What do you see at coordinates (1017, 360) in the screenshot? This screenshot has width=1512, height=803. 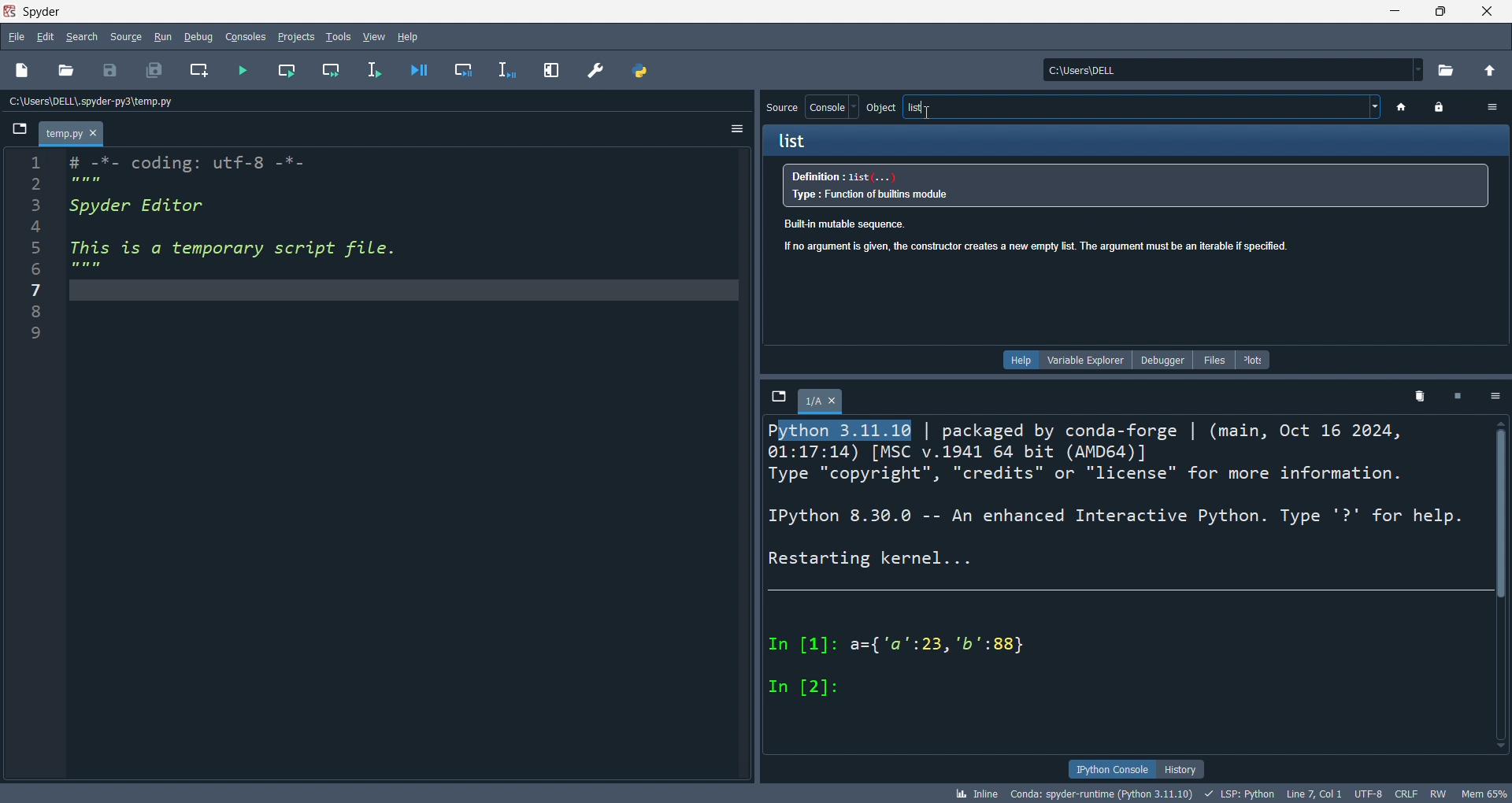 I see `help` at bounding box center [1017, 360].